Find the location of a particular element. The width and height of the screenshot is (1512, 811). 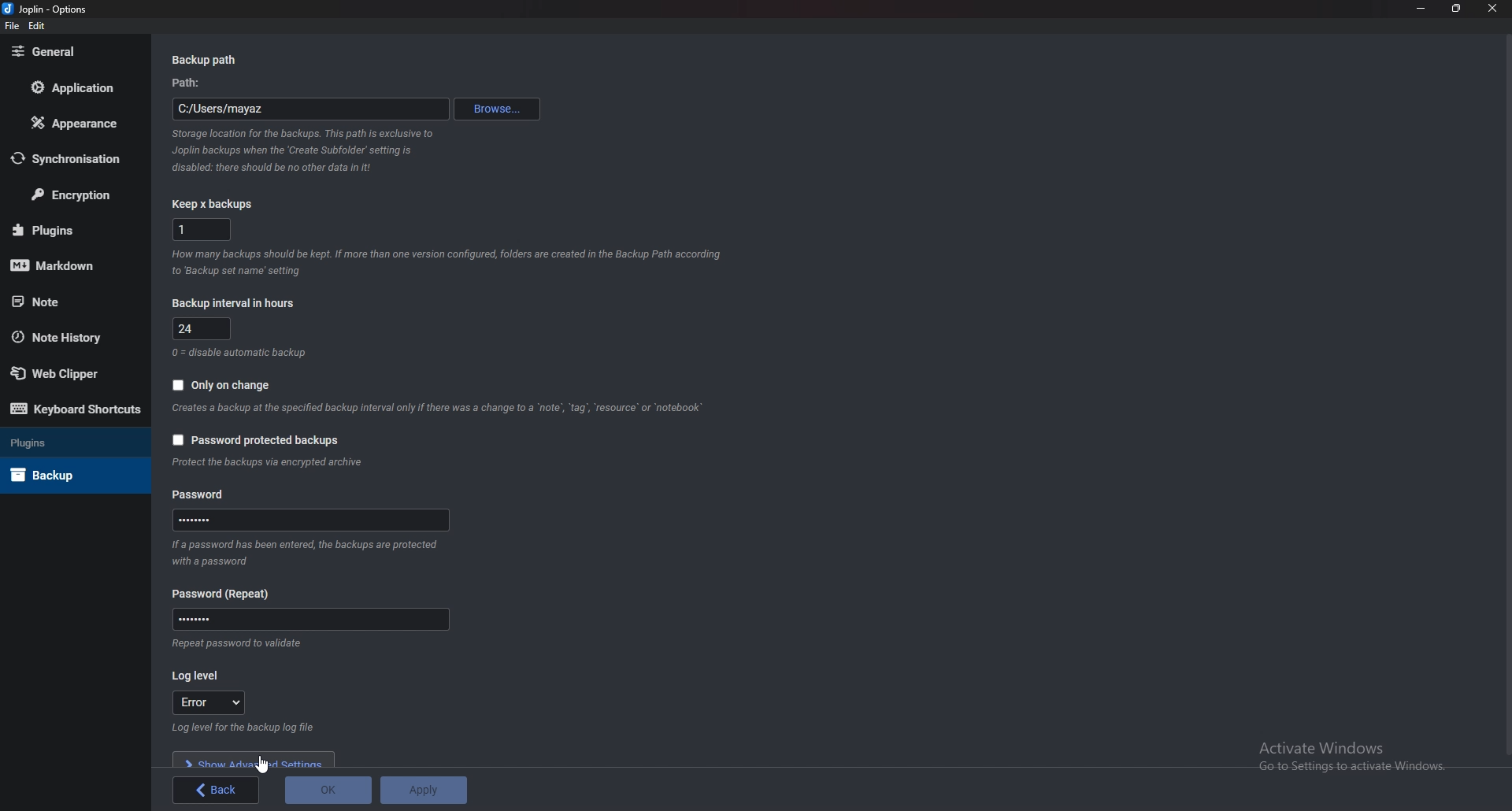

cursor is located at coordinates (265, 764).